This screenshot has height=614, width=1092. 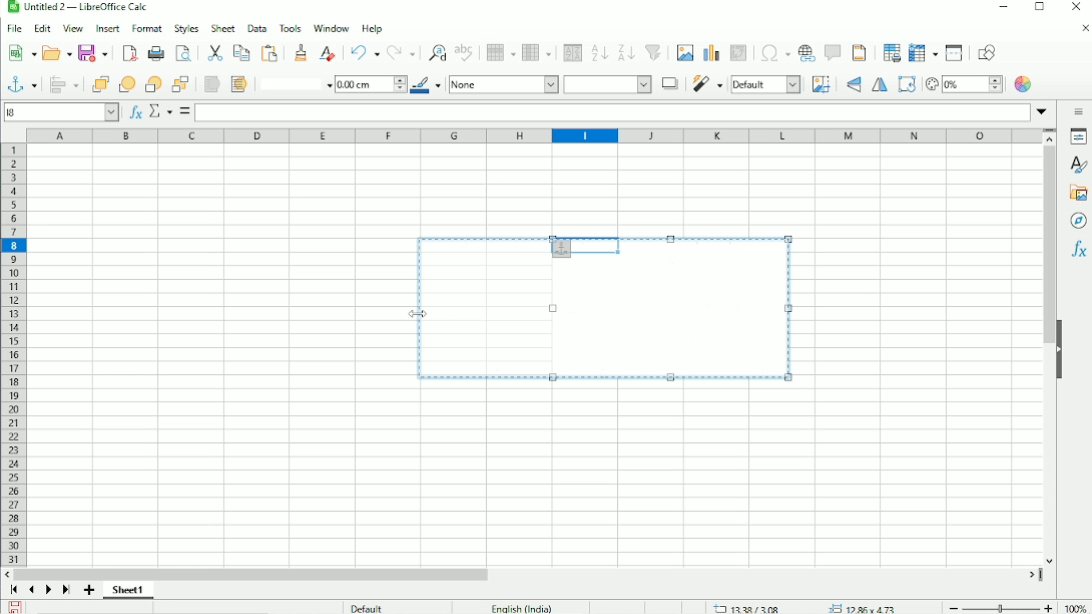 I want to click on Define print area, so click(x=888, y=53).